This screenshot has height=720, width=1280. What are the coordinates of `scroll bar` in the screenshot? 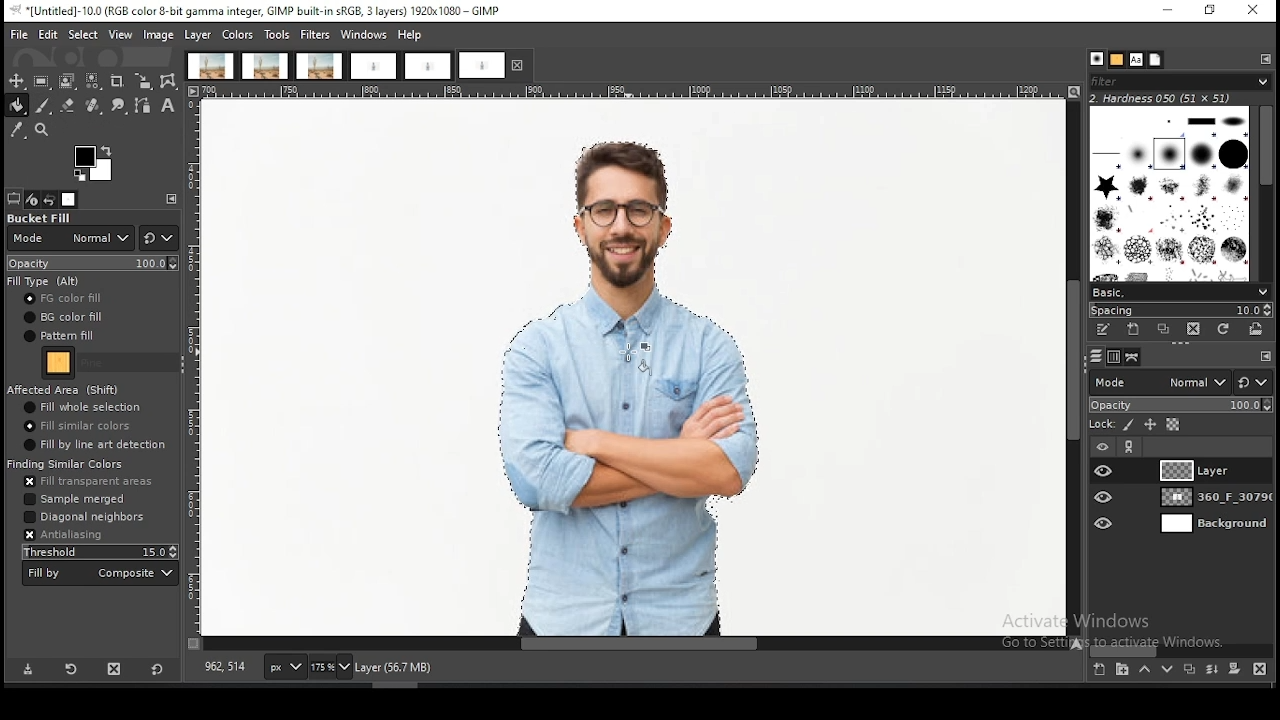 It's located at (638, 644).